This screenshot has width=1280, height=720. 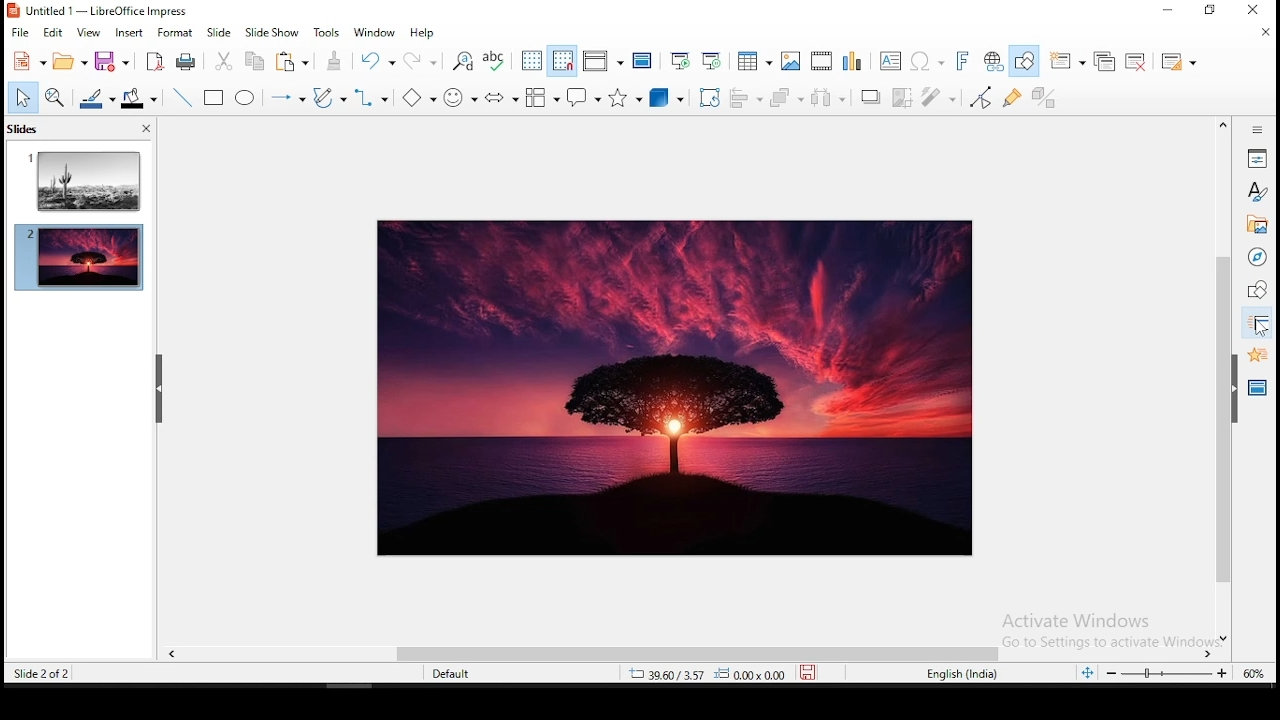 I want to click on insert, so click(x=128, y=31).